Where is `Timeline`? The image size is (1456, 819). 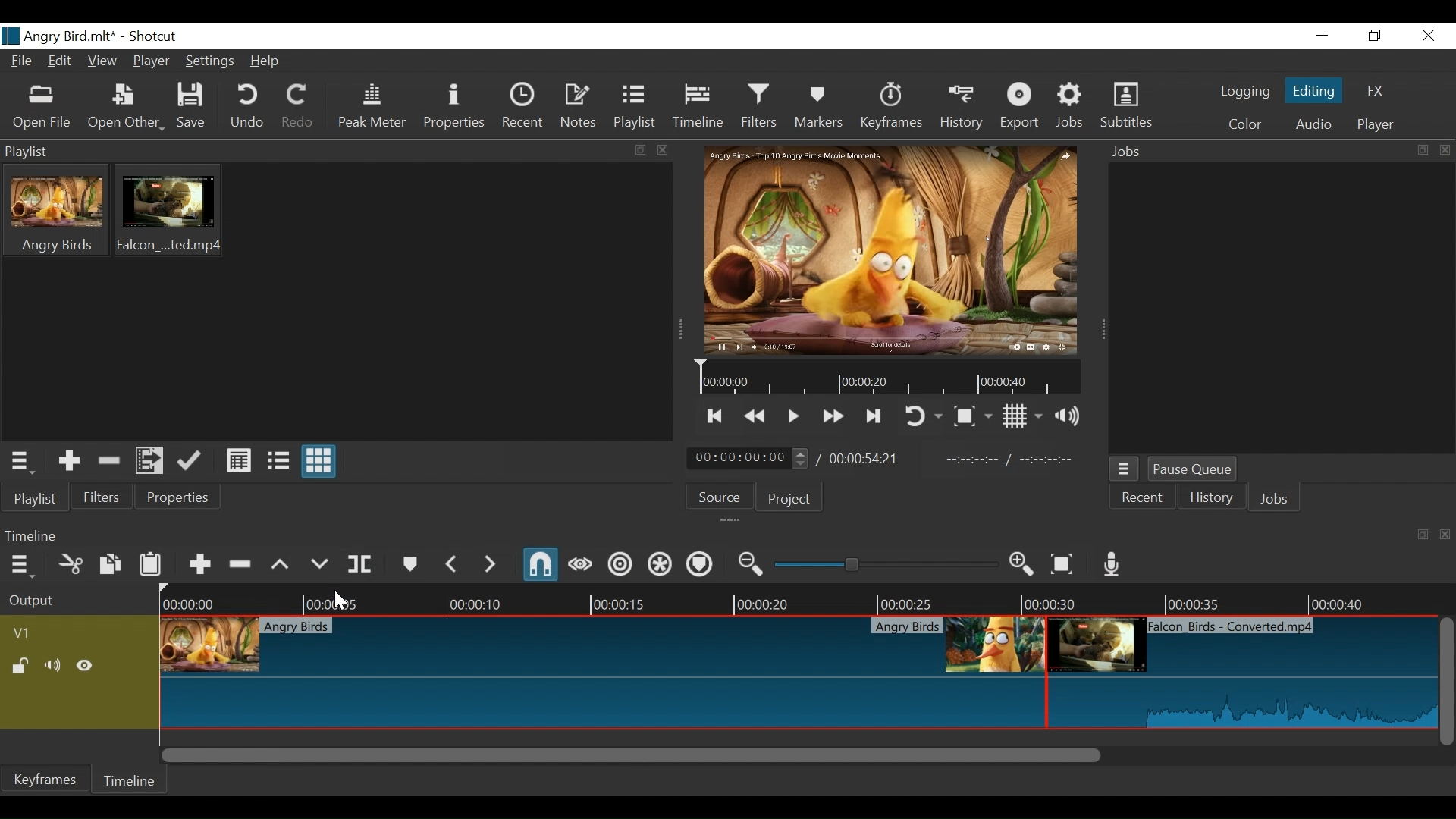
Timeline is located at coordinates (886, 378).